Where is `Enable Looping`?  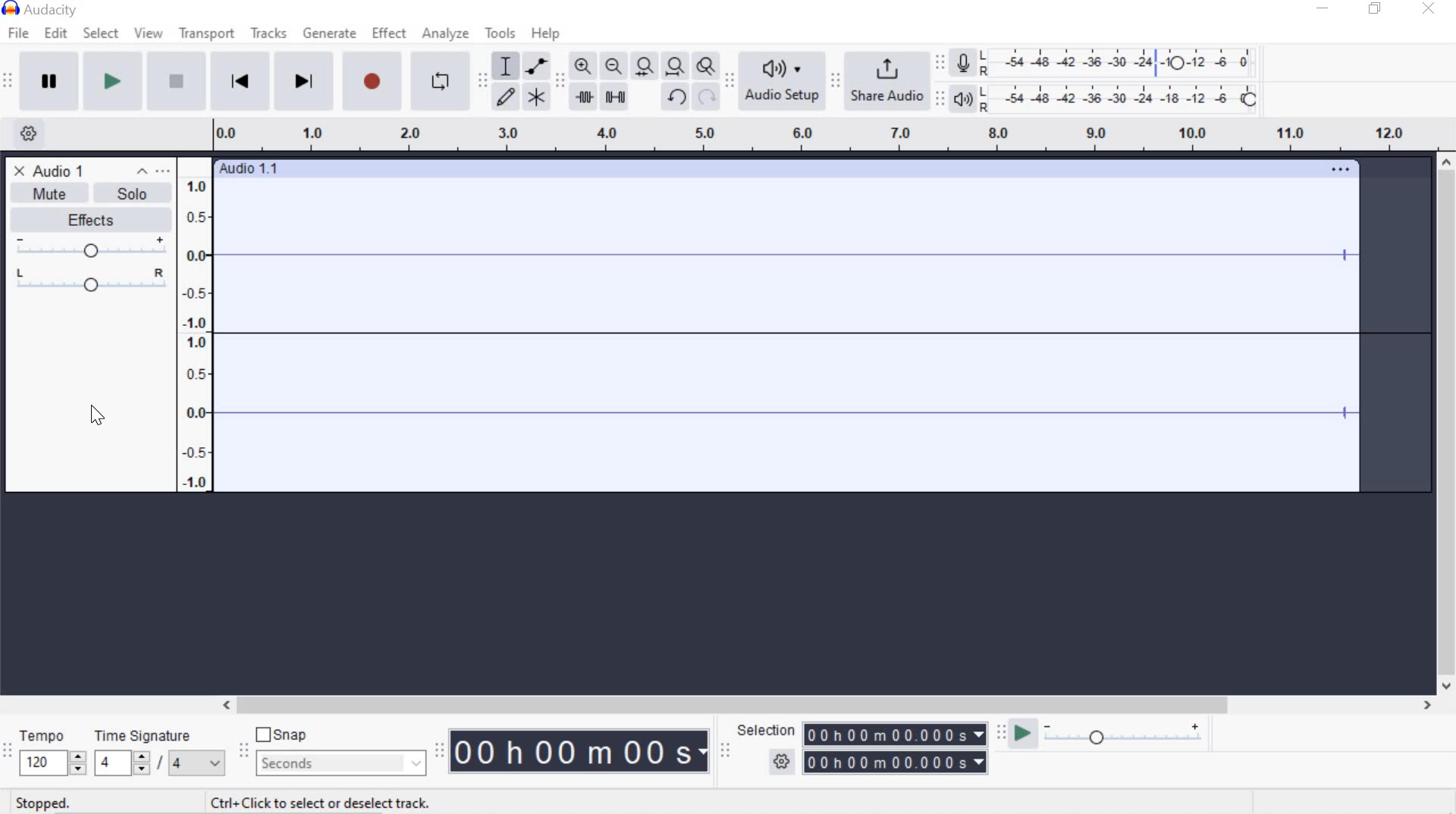
Enable Looping is located at coordinates (440, 83).